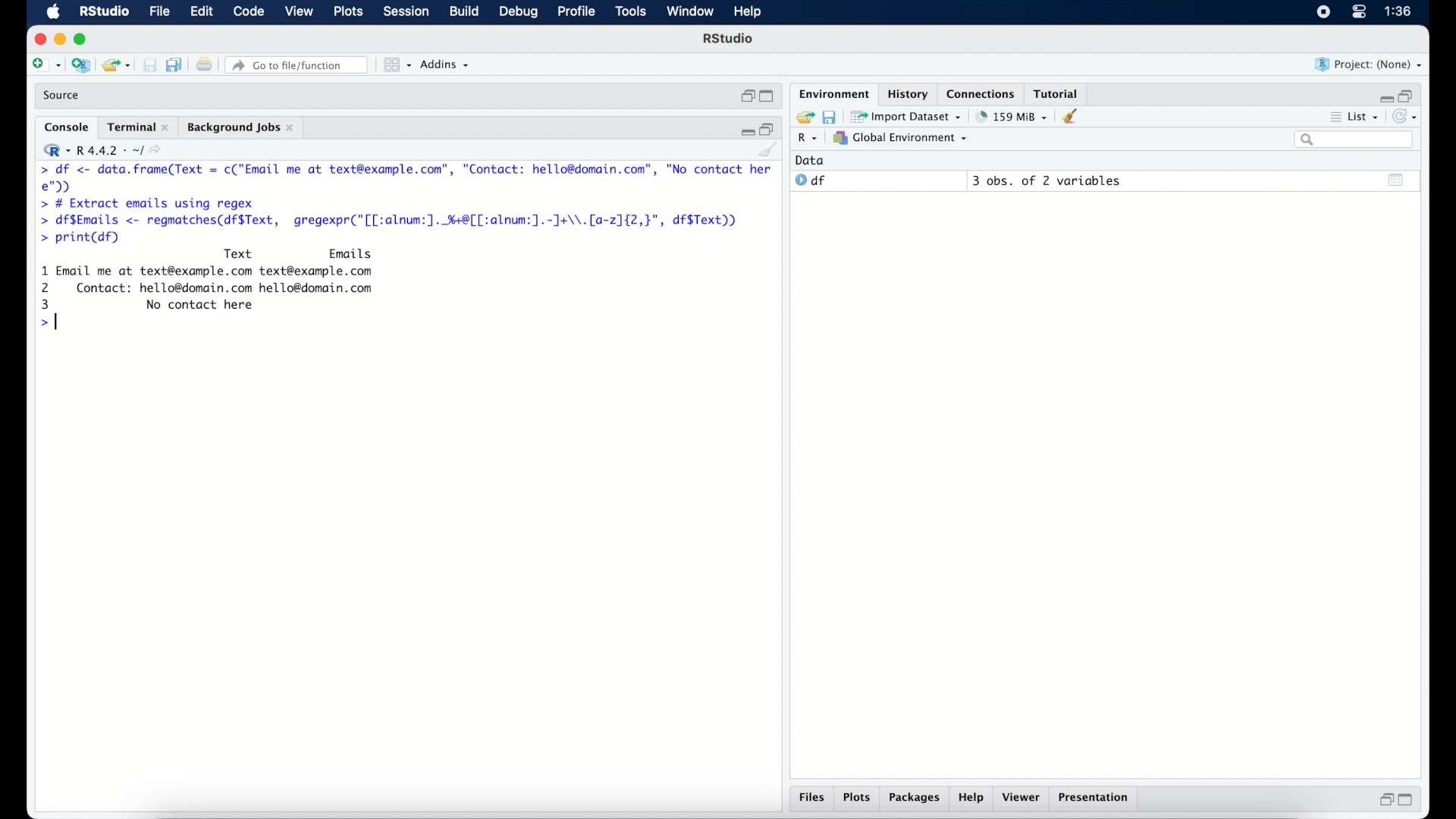 The image size is (1456, 819). I want to click on restore down, so click(745, 96).